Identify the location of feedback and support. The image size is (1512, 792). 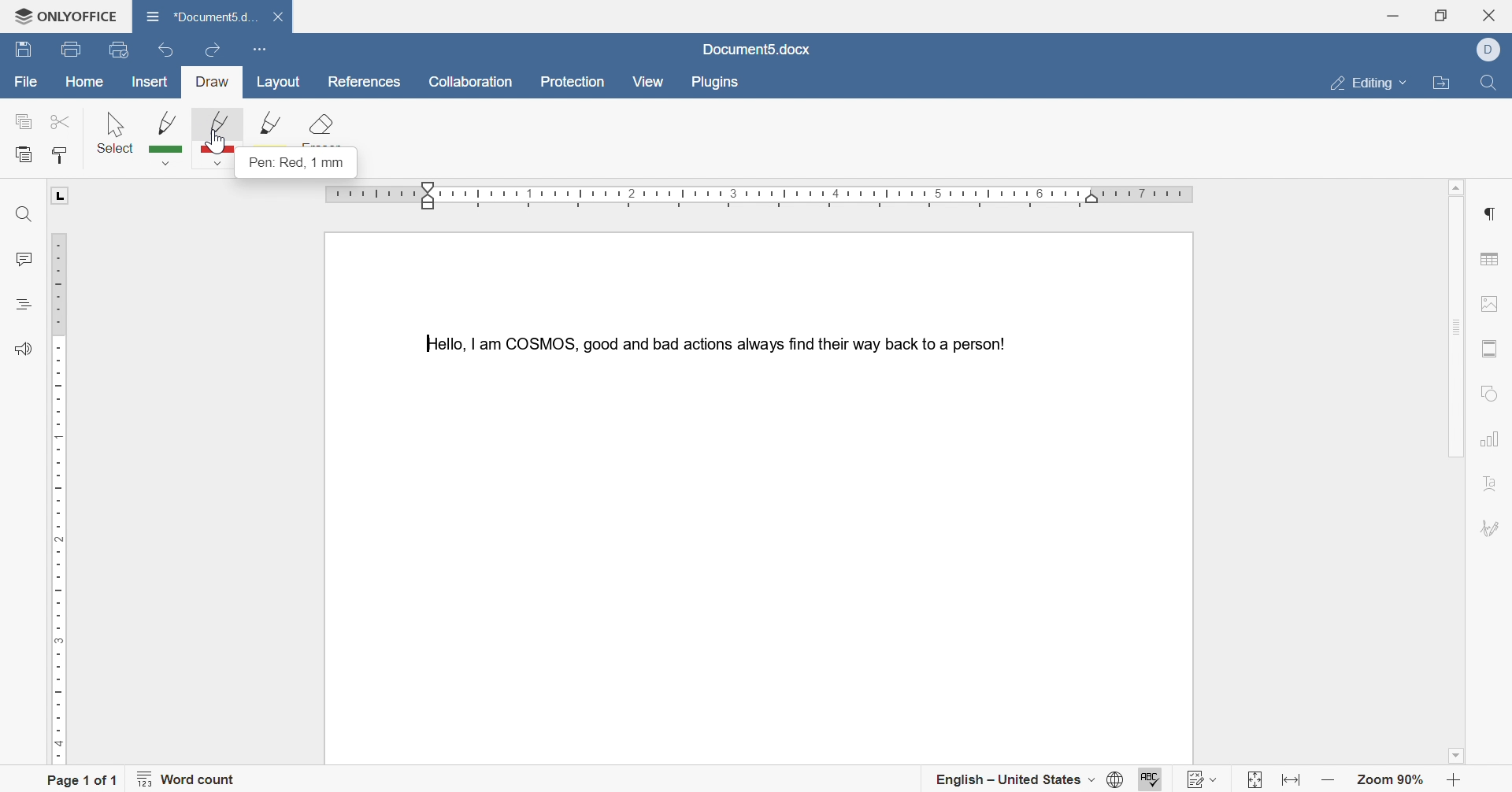
(22, 350).